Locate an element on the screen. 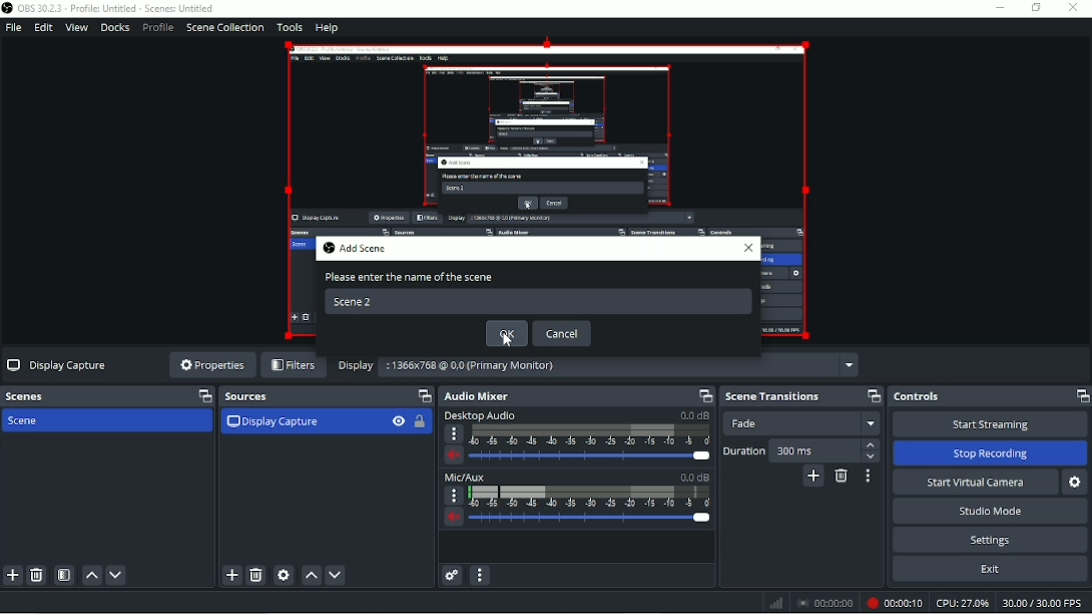 This screenshot has width=1092, height=614. Close is located at coordinates (1074, 9).